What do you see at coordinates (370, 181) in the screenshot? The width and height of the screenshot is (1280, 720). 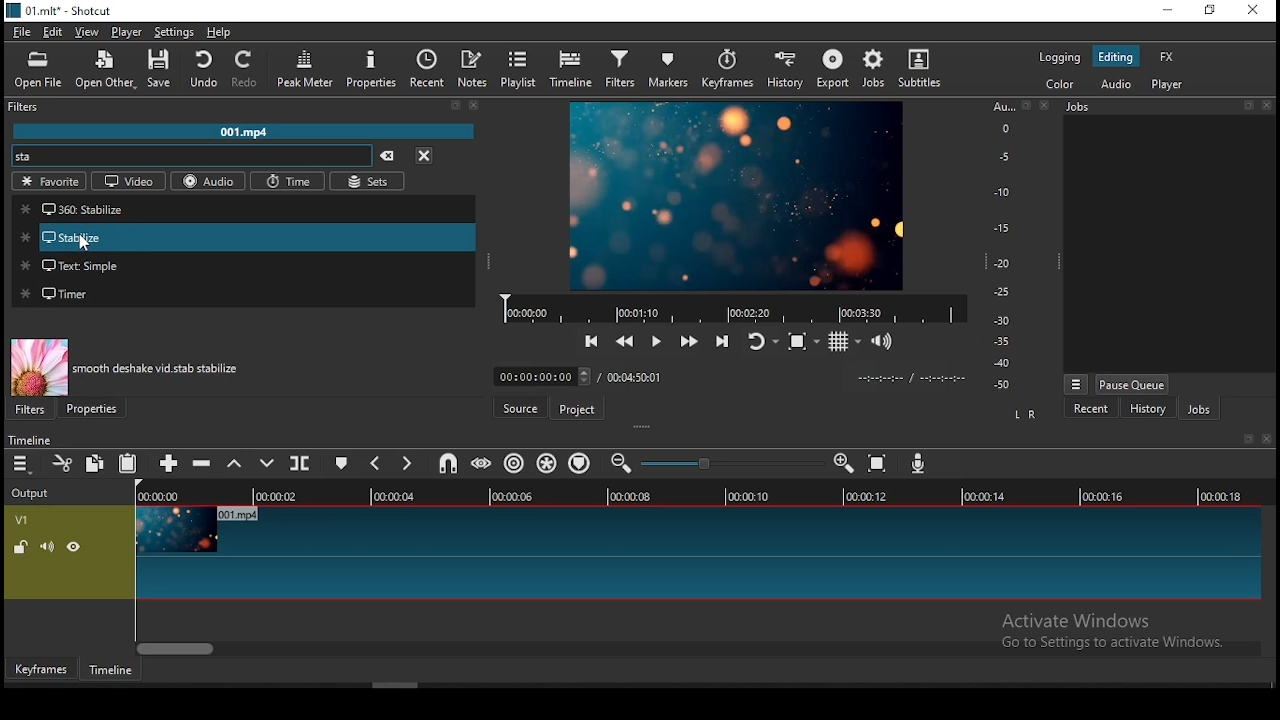 I see `sets` at bounding box center [370, 181].